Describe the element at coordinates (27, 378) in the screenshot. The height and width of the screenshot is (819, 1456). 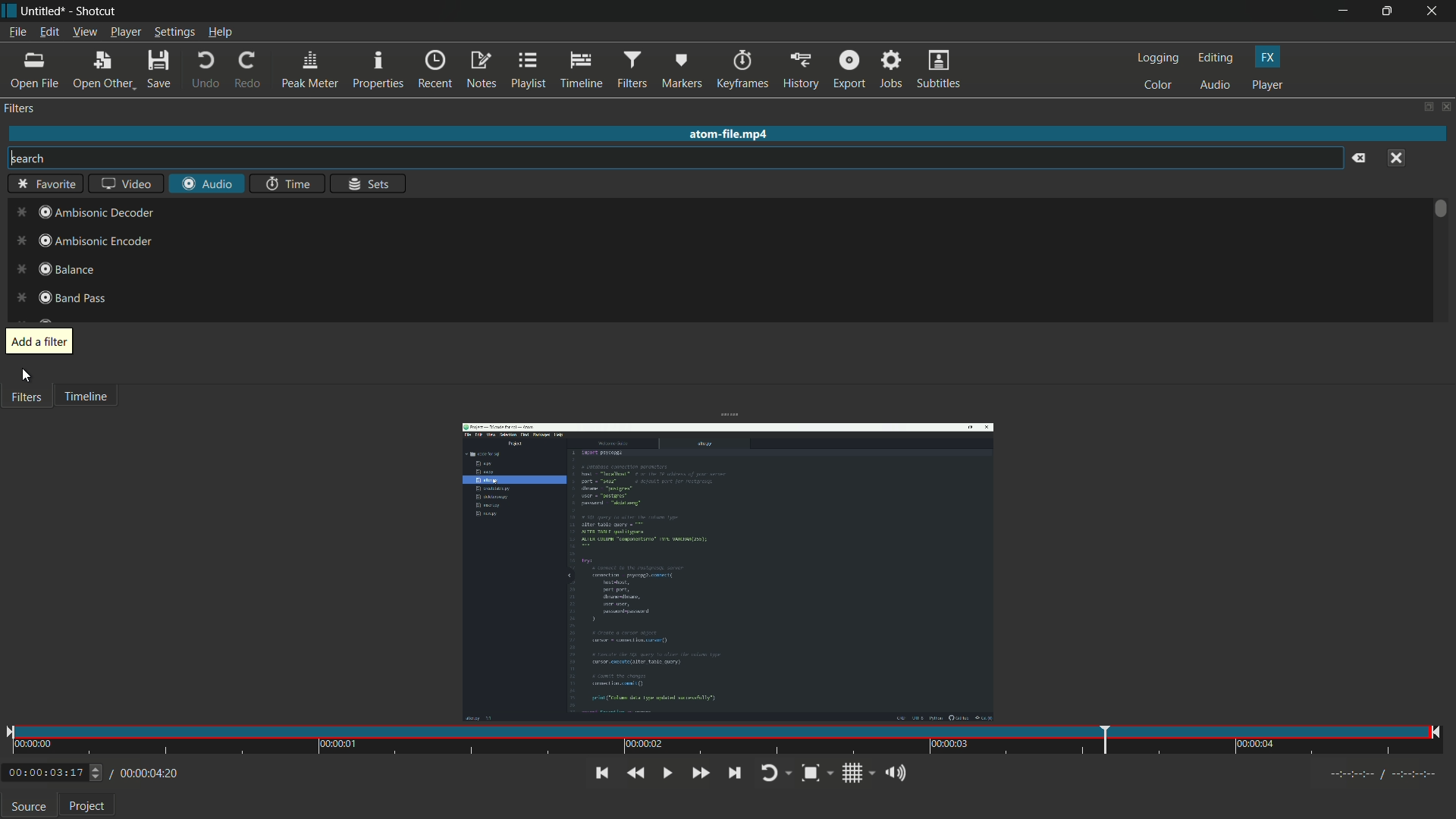
I see `cursor` at that location.